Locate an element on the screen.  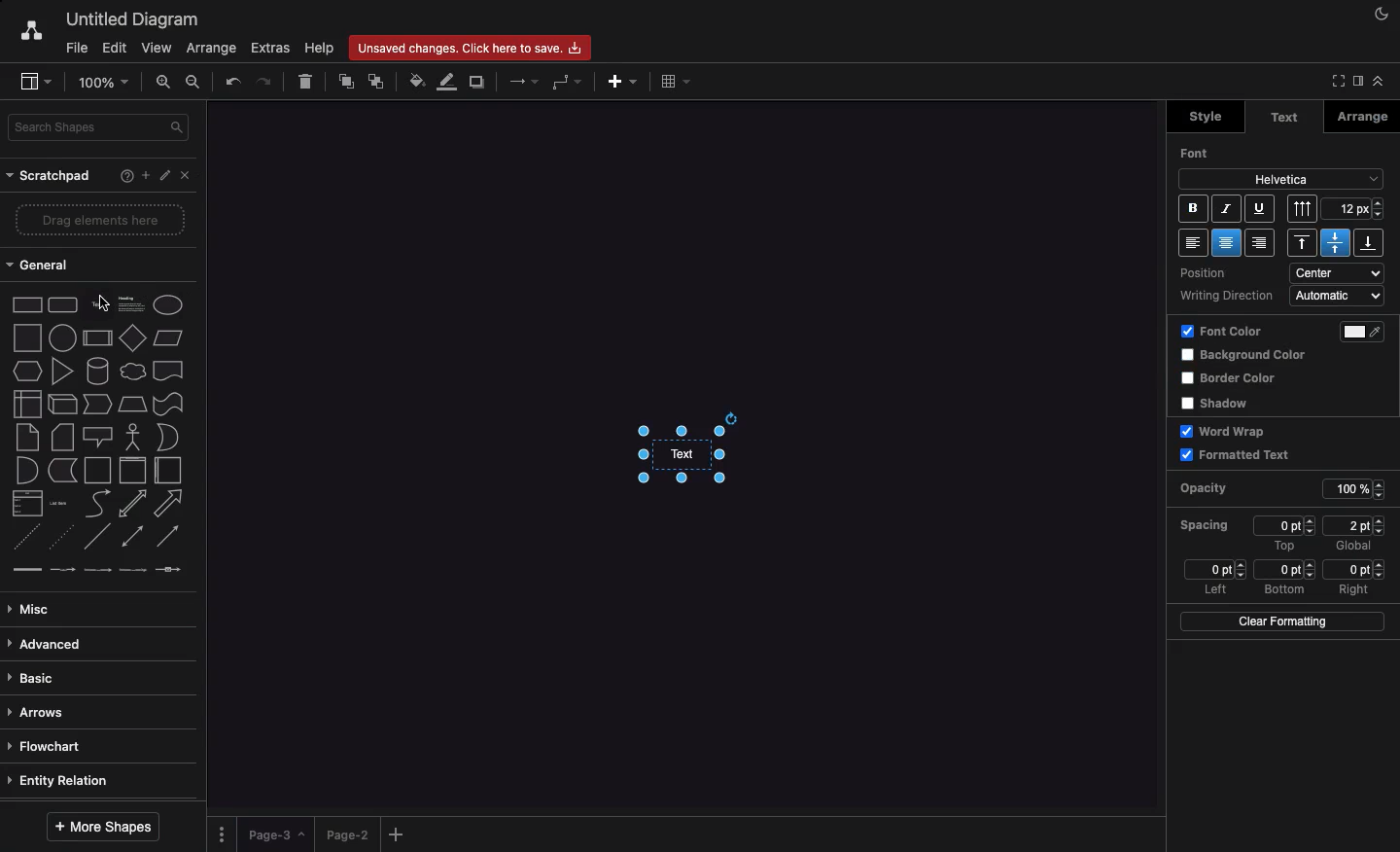
100% - Zoom is located at coordinates (106, 82).